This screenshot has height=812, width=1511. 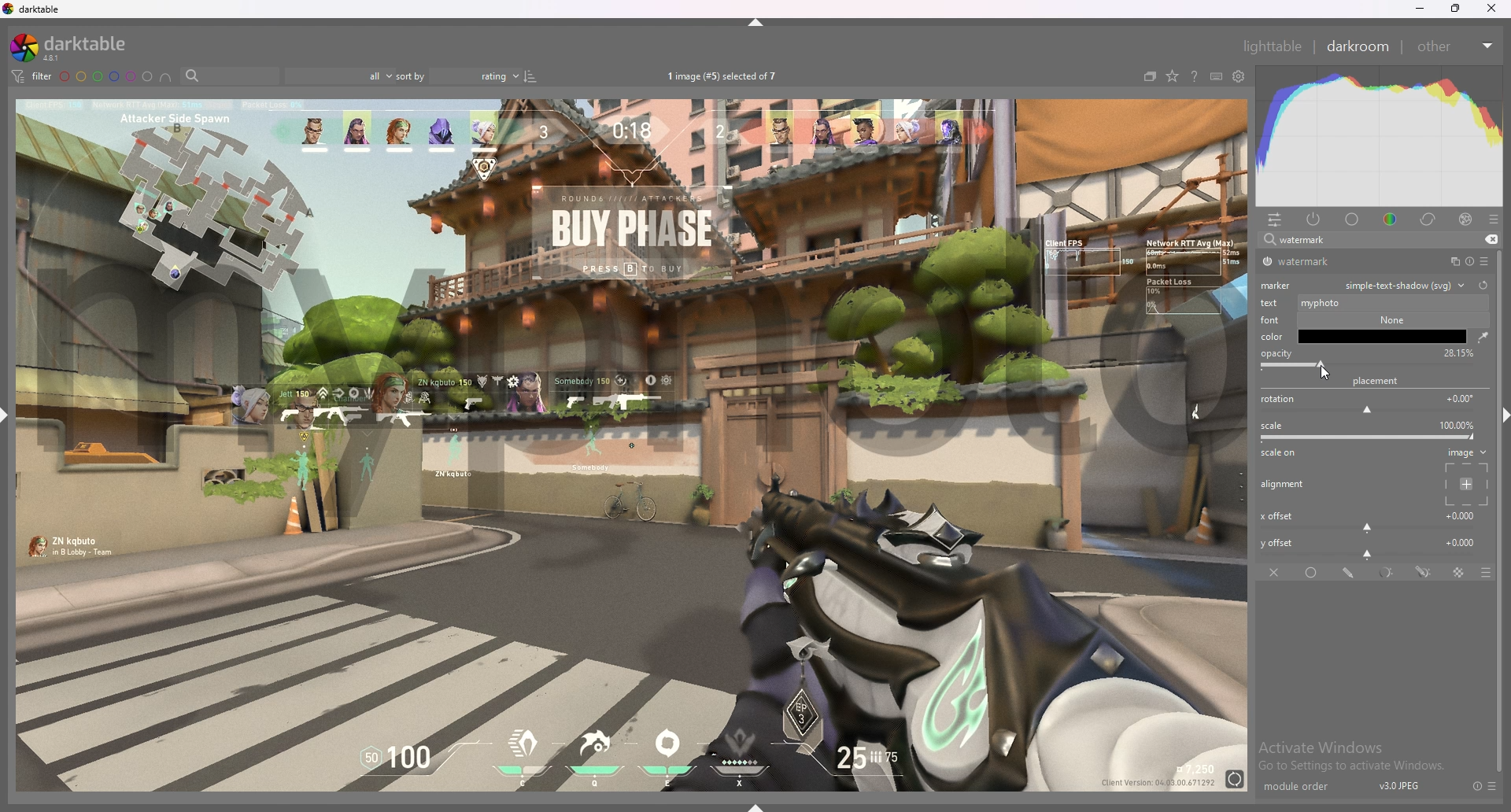 What do you see at coordinates (1359, 45) in the screenshot?
I see `darkroom` at bounding box center [1359, 45].